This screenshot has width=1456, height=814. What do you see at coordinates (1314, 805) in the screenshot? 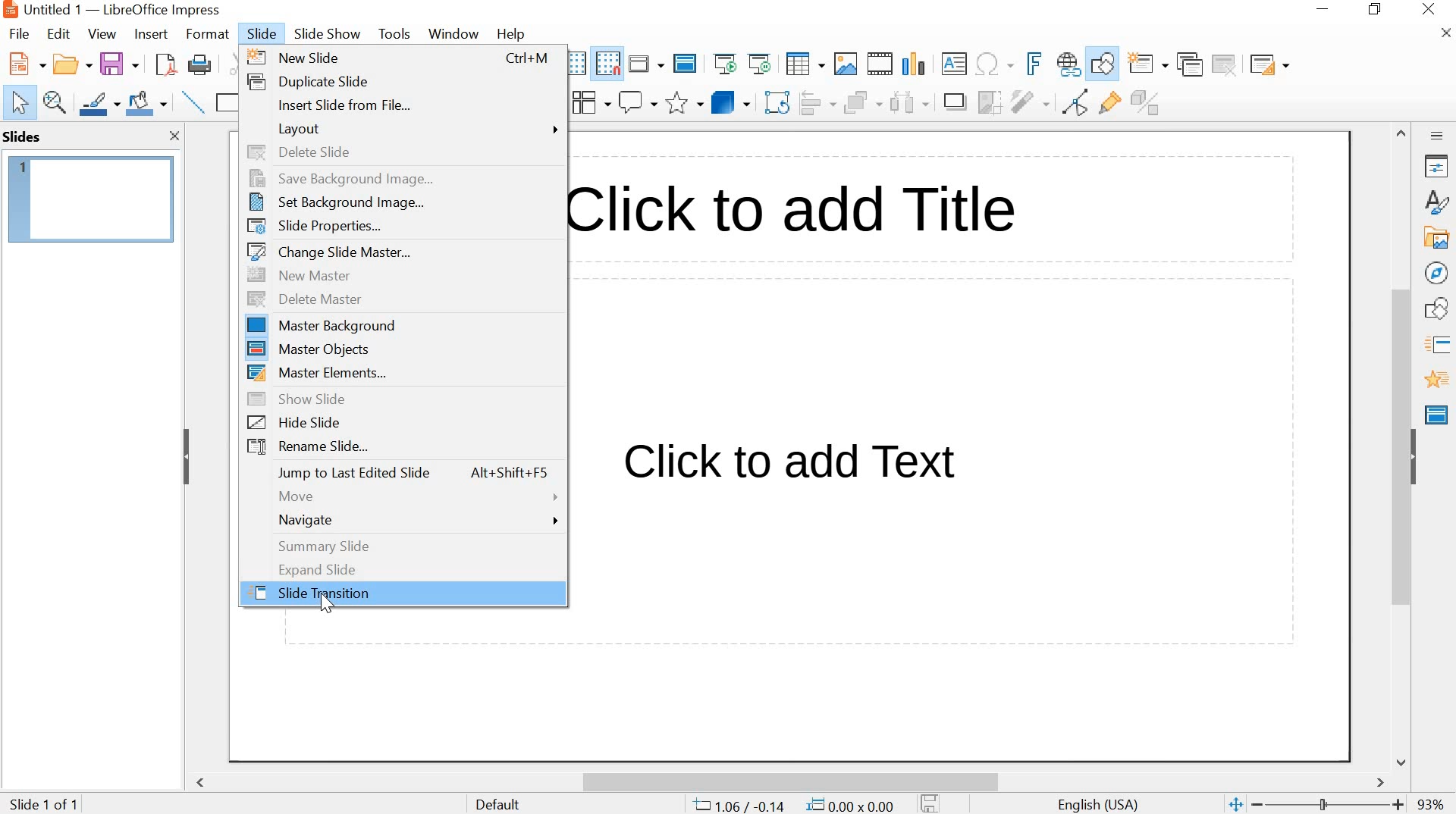
I see `ZOOM OUT OR ZOOM IN` at bounding box center [1314, 805].